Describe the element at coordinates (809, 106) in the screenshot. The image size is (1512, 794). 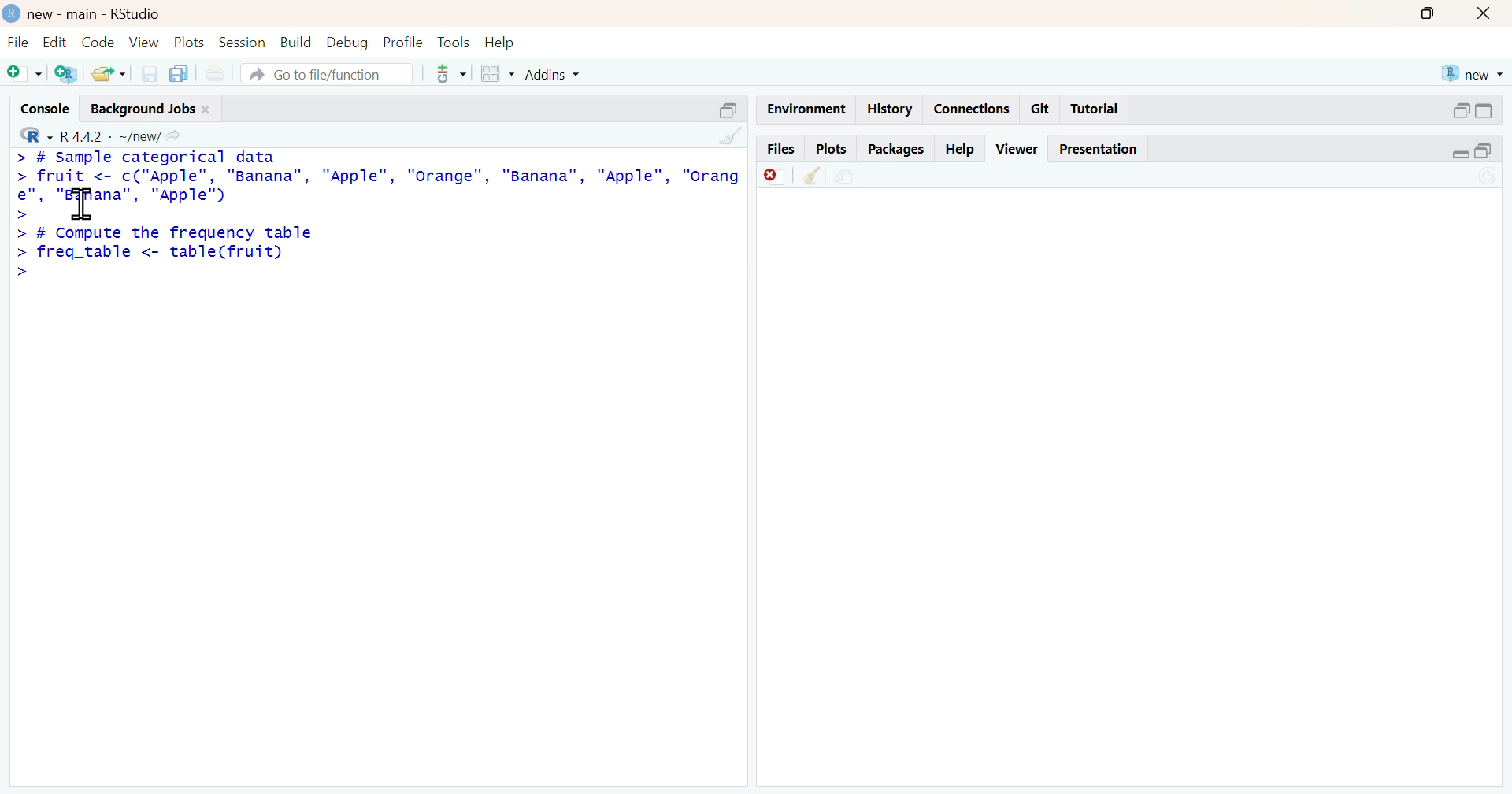
I see `environment` at that location.